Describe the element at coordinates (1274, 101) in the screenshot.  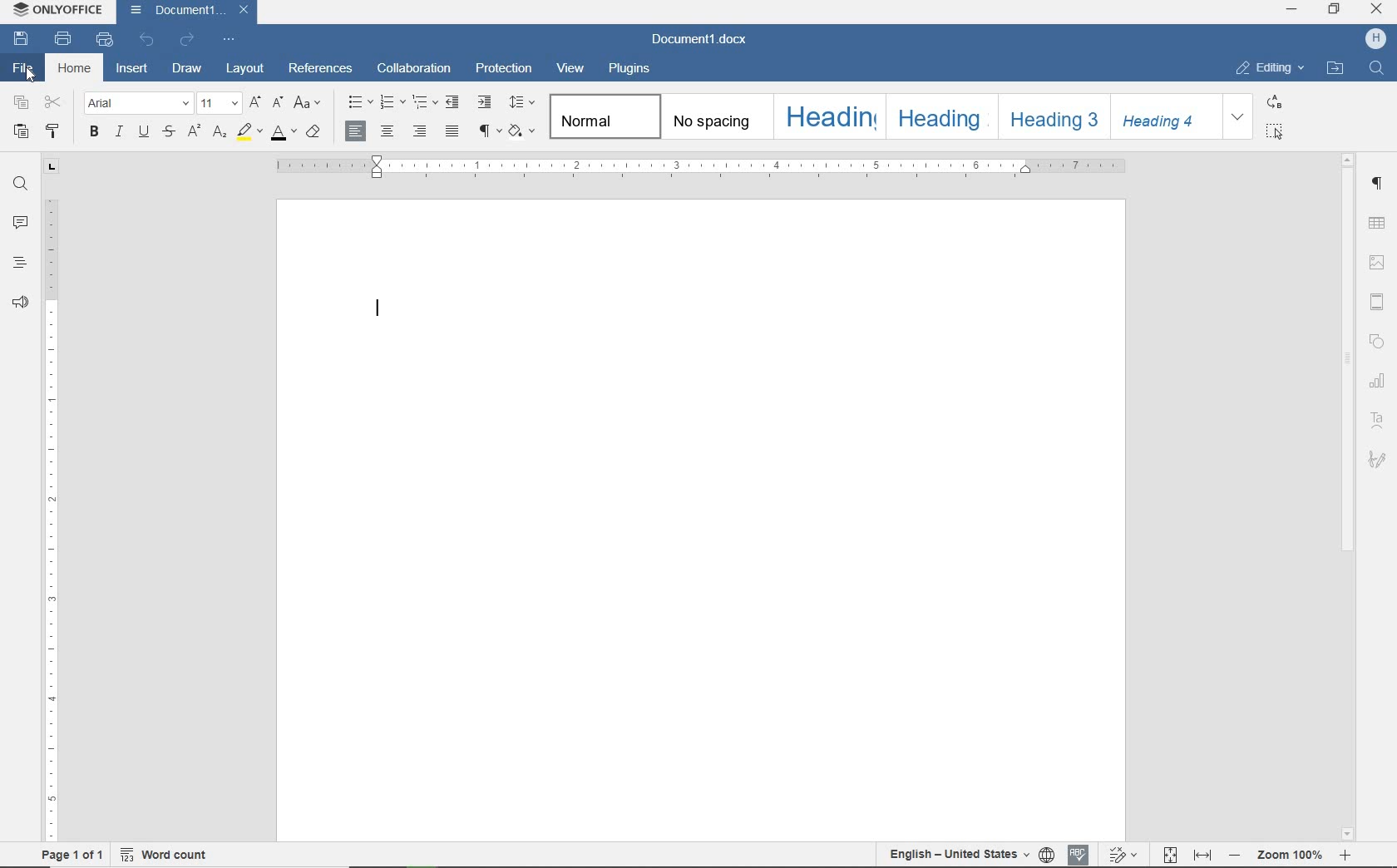
I see `replace` at that location.